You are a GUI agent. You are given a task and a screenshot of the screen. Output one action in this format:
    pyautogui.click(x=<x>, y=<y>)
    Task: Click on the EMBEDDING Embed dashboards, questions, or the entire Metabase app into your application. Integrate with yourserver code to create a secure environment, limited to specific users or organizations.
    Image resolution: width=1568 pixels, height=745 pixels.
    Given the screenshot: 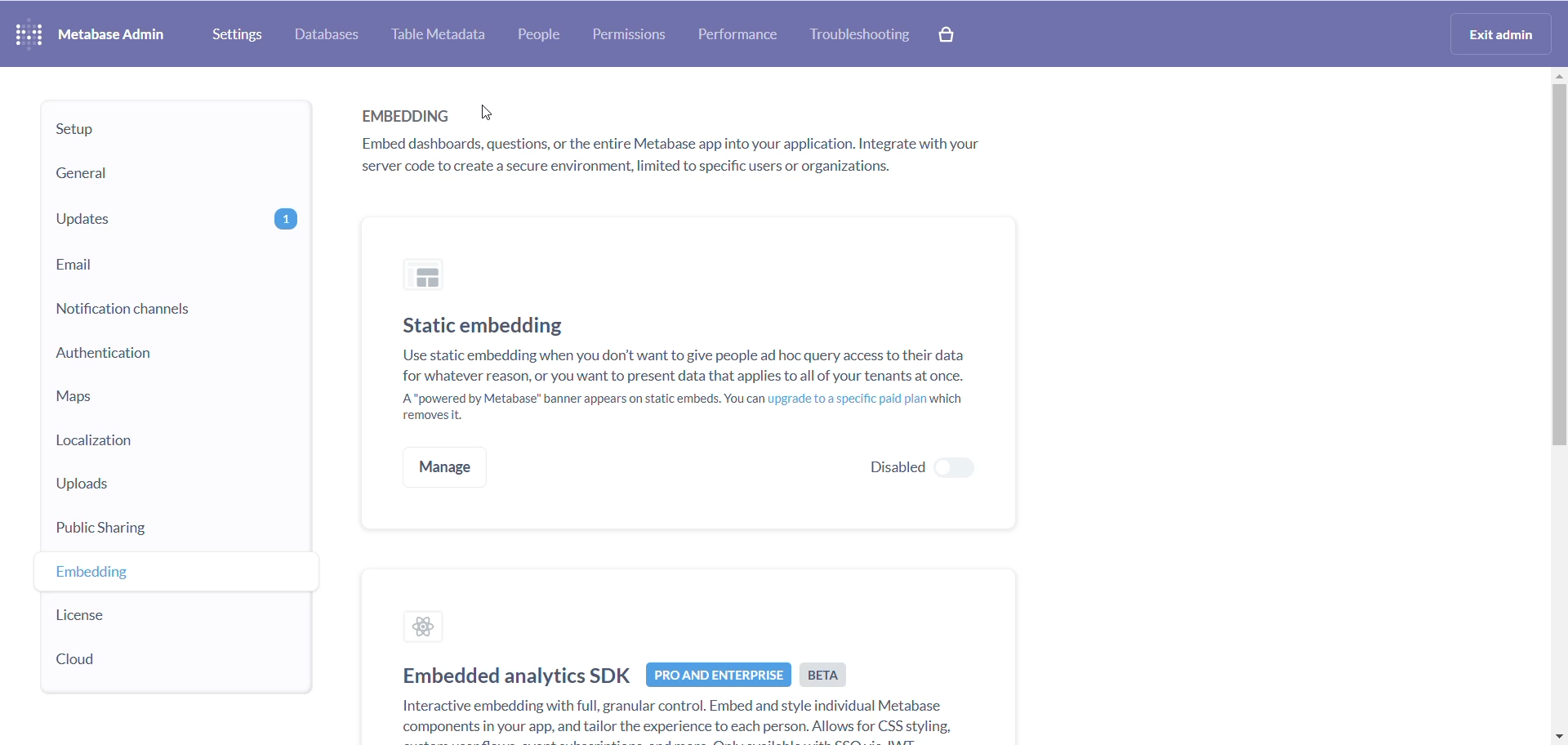 What is the action you would take?
    pyautogui.click(x=679, y=144)
    